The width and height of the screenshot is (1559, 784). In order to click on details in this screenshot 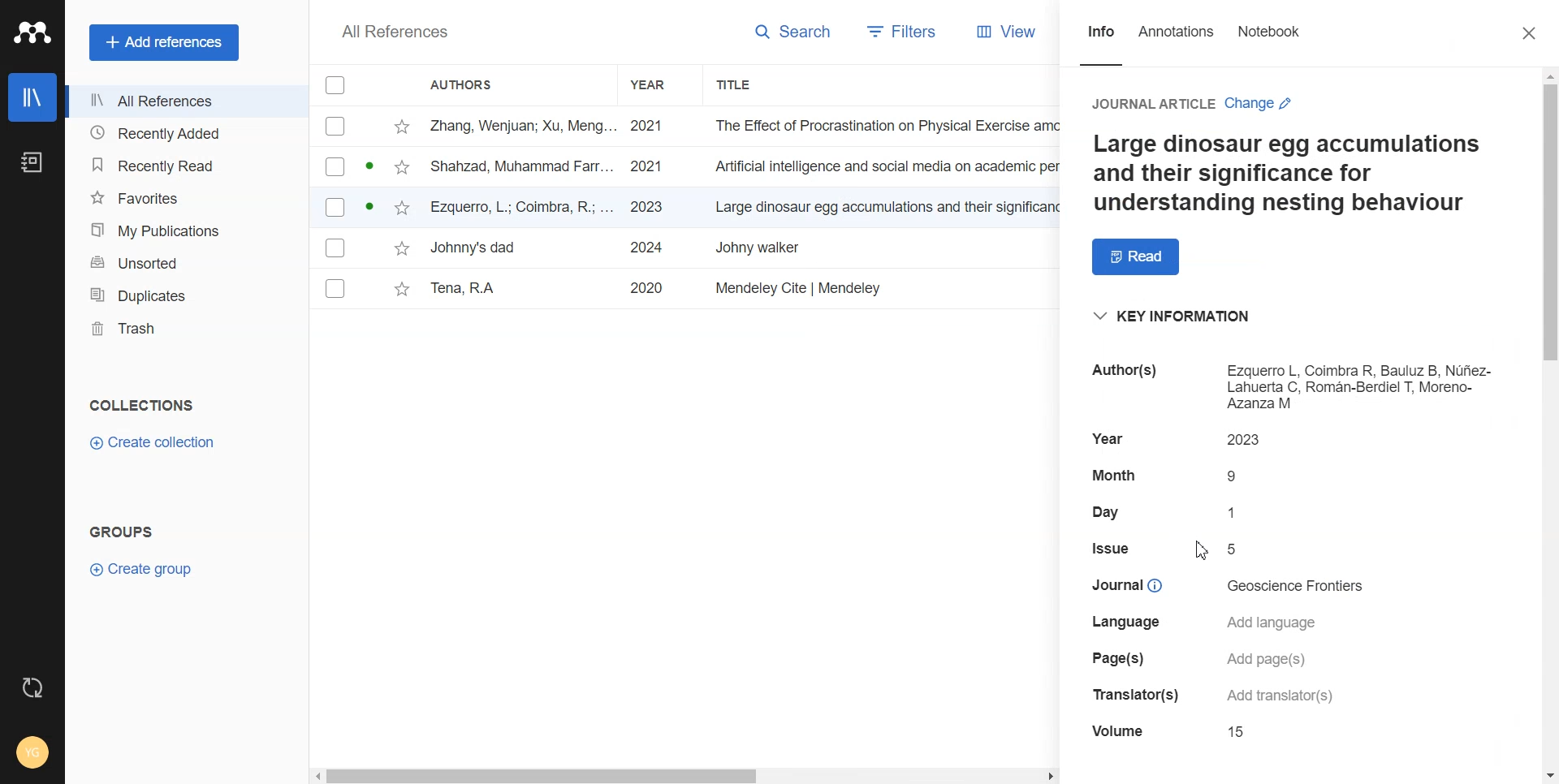, I will do `click(1284, 696)`.